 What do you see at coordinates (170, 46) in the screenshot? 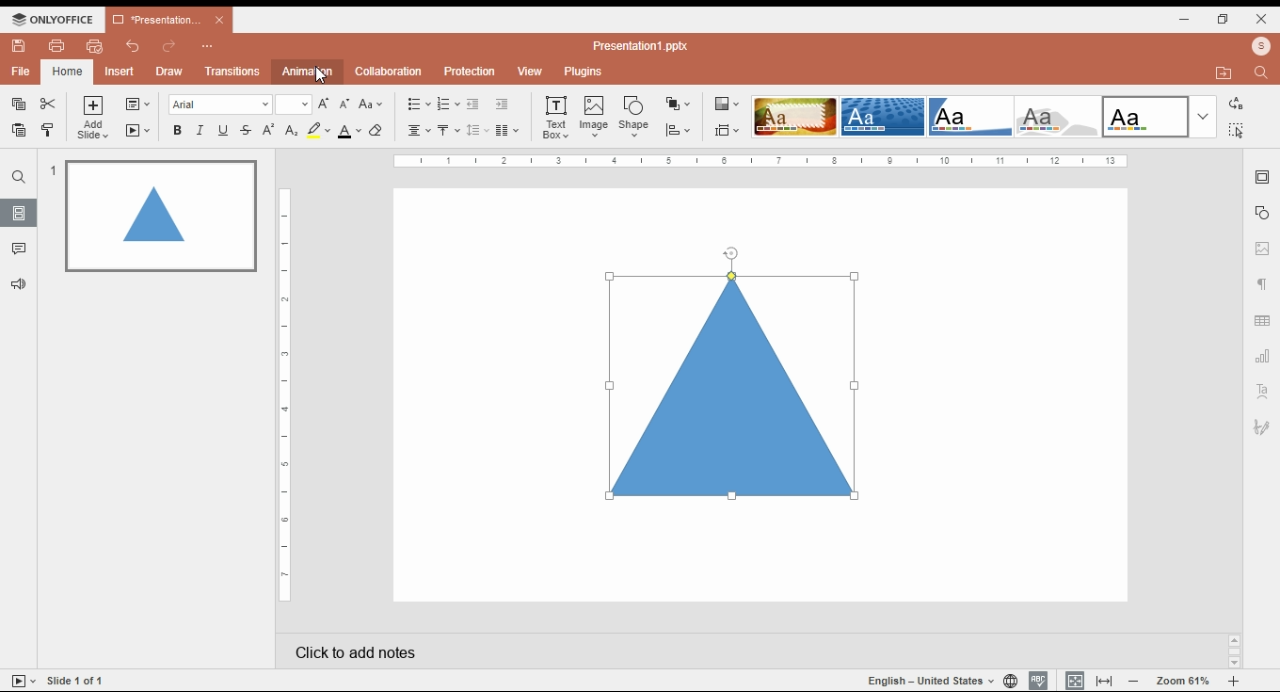
I see `redo` at bounding box center [170, 46].